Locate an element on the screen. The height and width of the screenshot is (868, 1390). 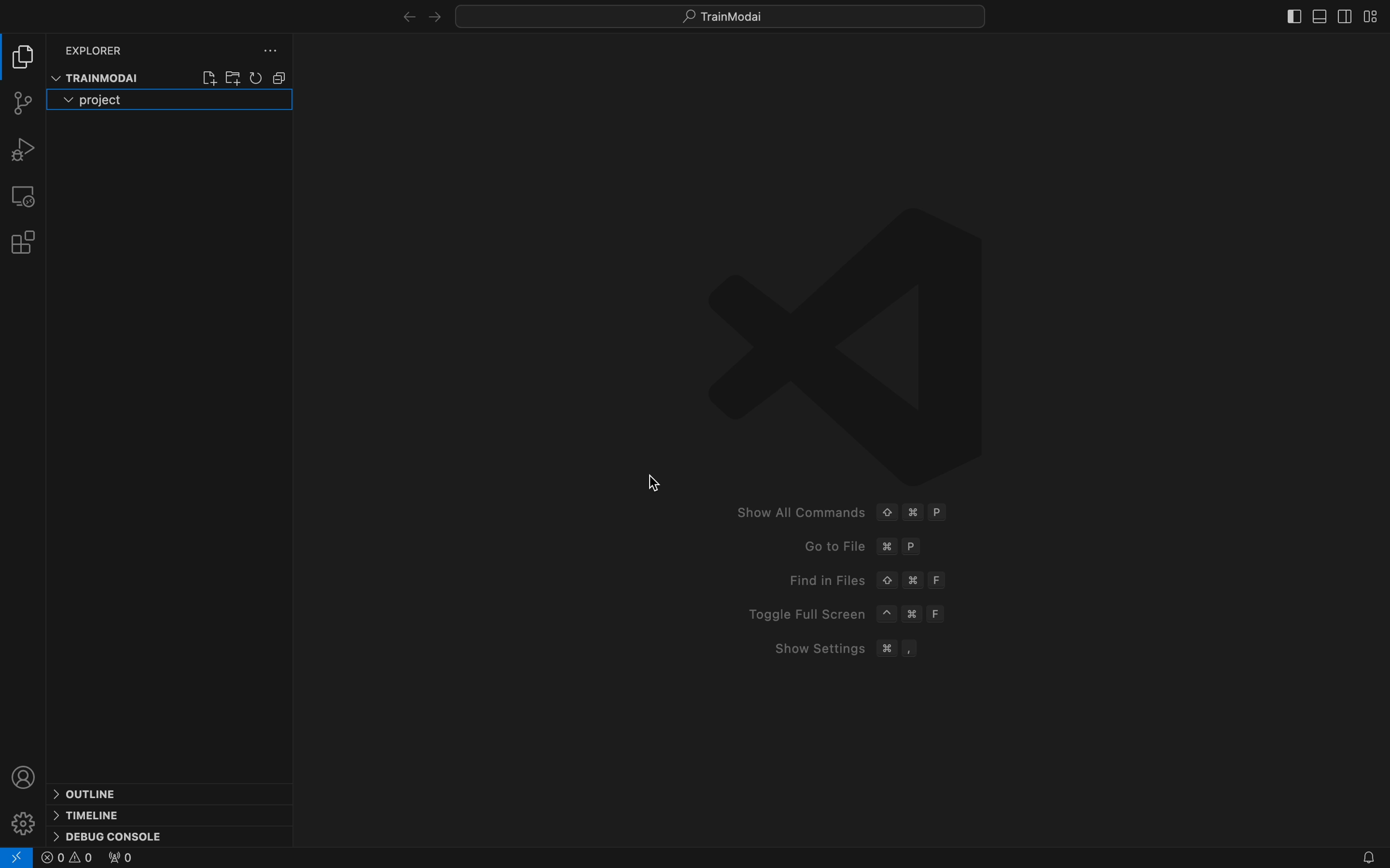
file menus is located at coordinates (241, 78).